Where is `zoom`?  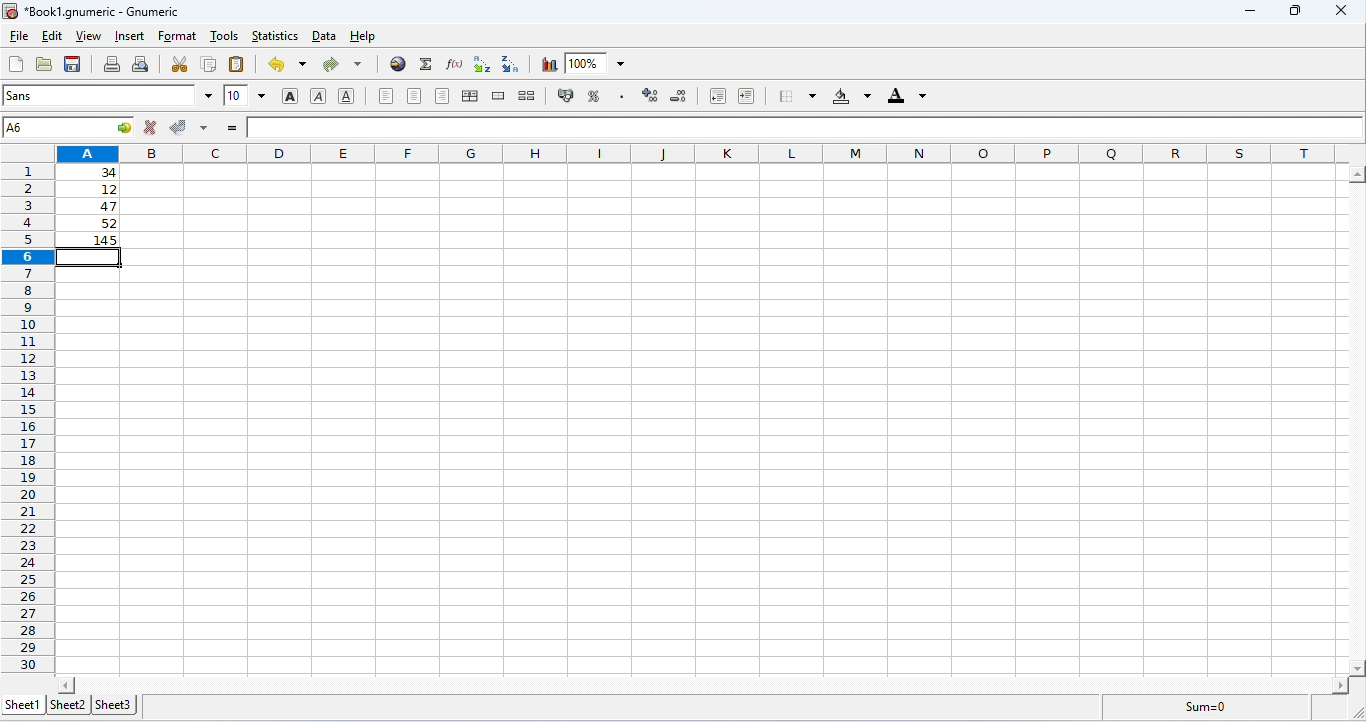
zoom is located at coordinates (595, 62).